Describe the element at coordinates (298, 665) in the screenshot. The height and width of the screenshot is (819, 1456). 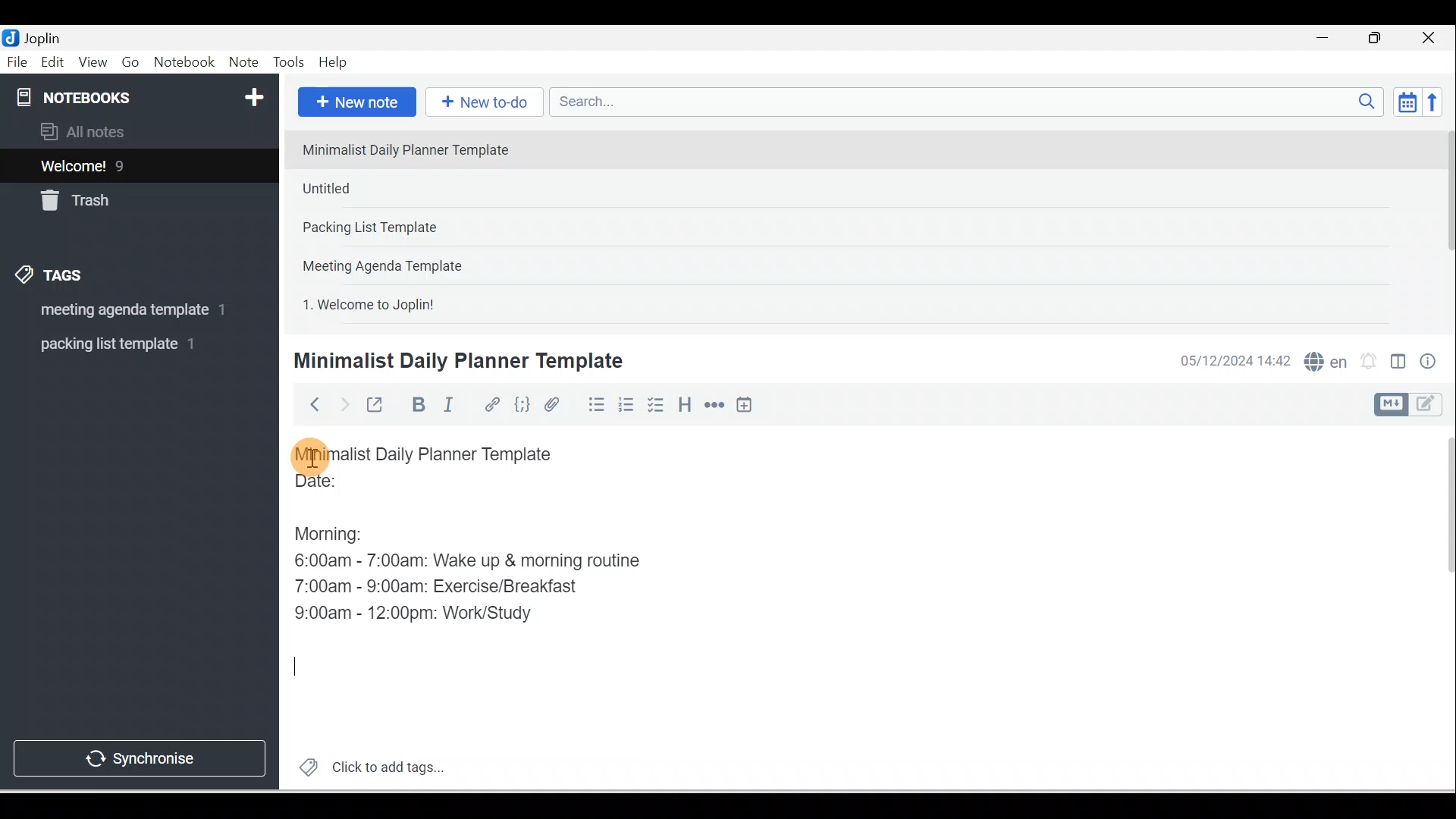
I see `Cursor` at that location.